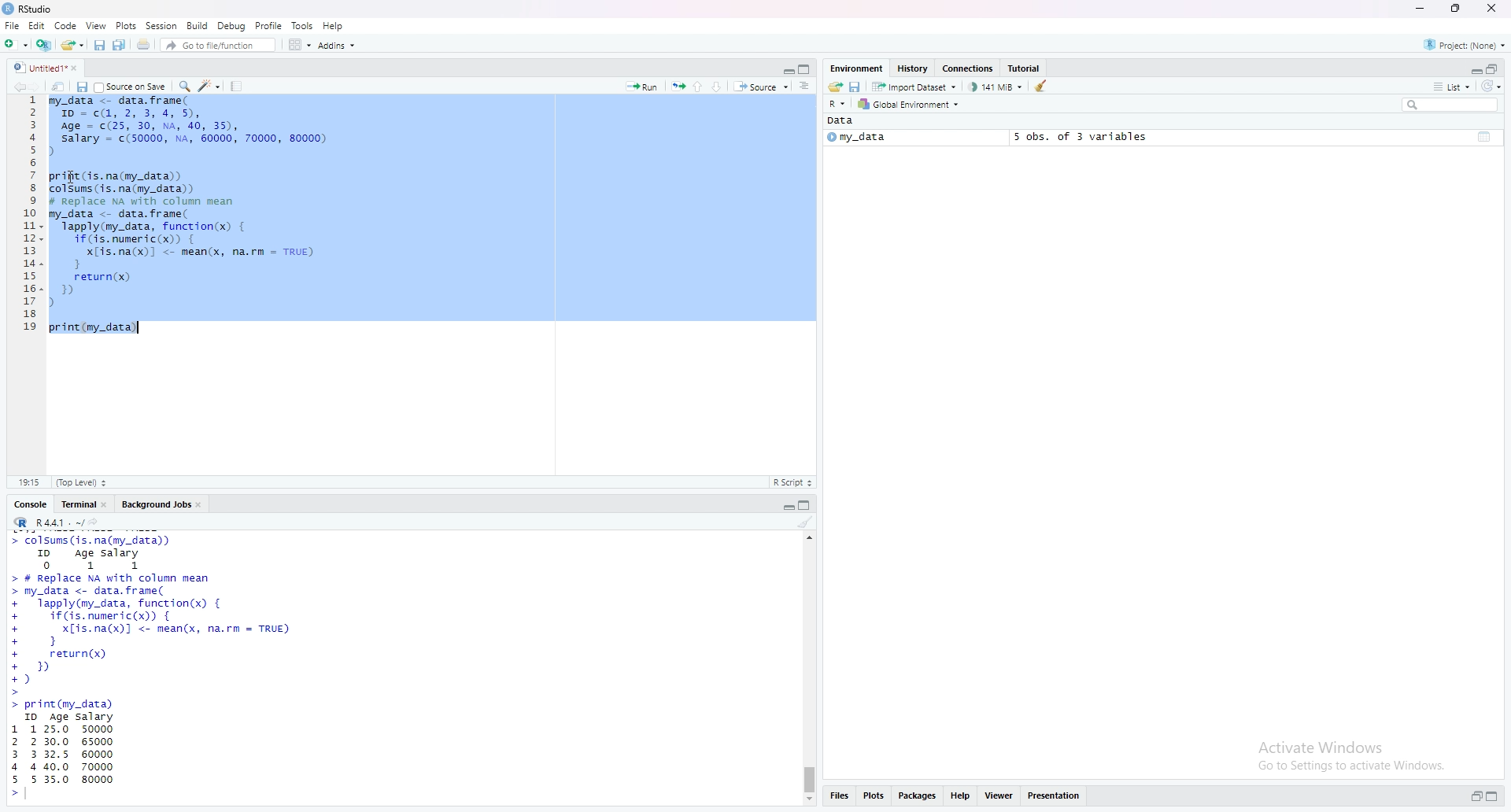 This screenshot has height=812, width=1511. I want to click on data frame set, so click(161, 666).